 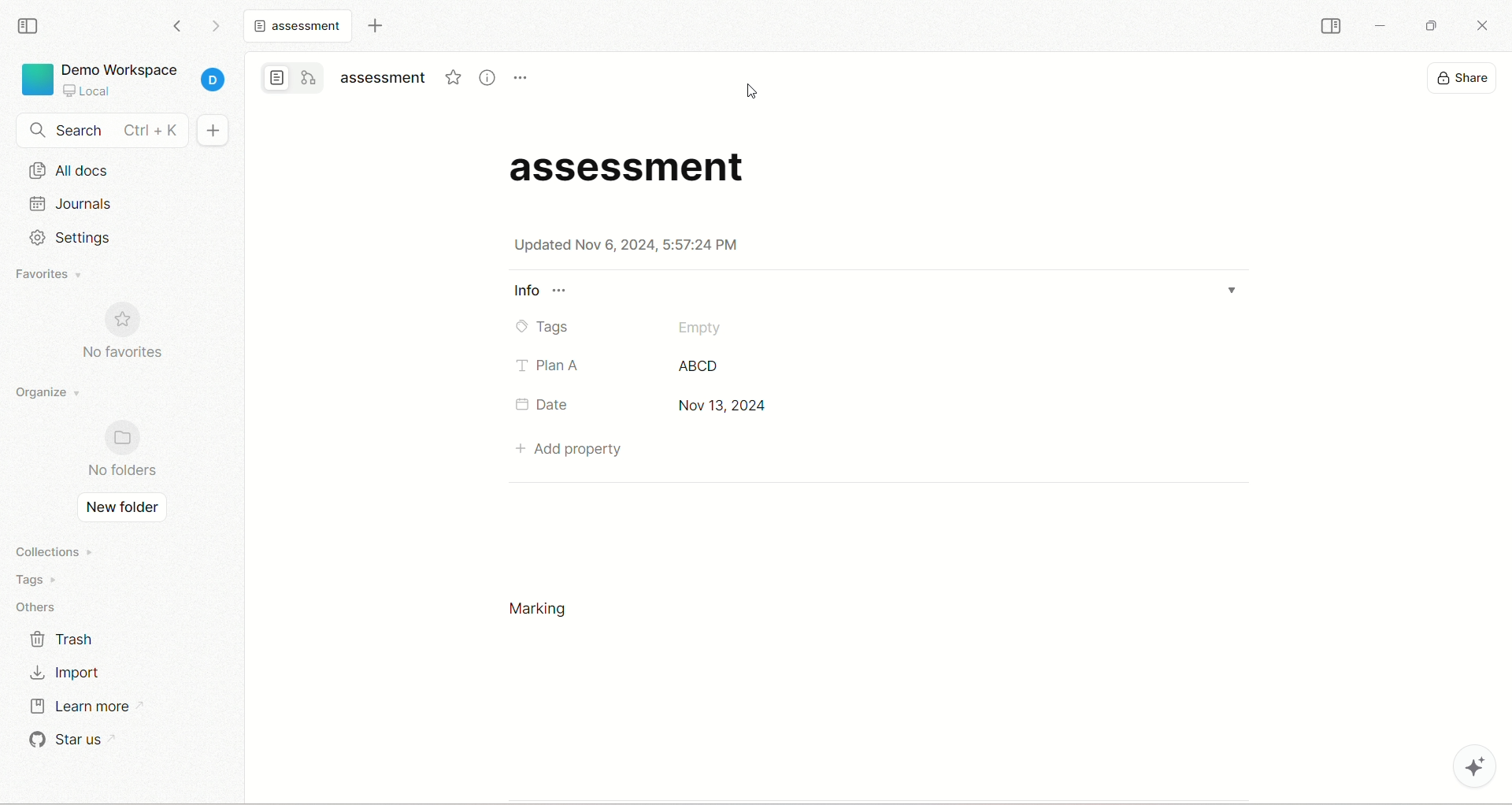 What do you see at coordinates (127, 438) in the screenshot?
I see `icon` at bounding box center [127, 438].